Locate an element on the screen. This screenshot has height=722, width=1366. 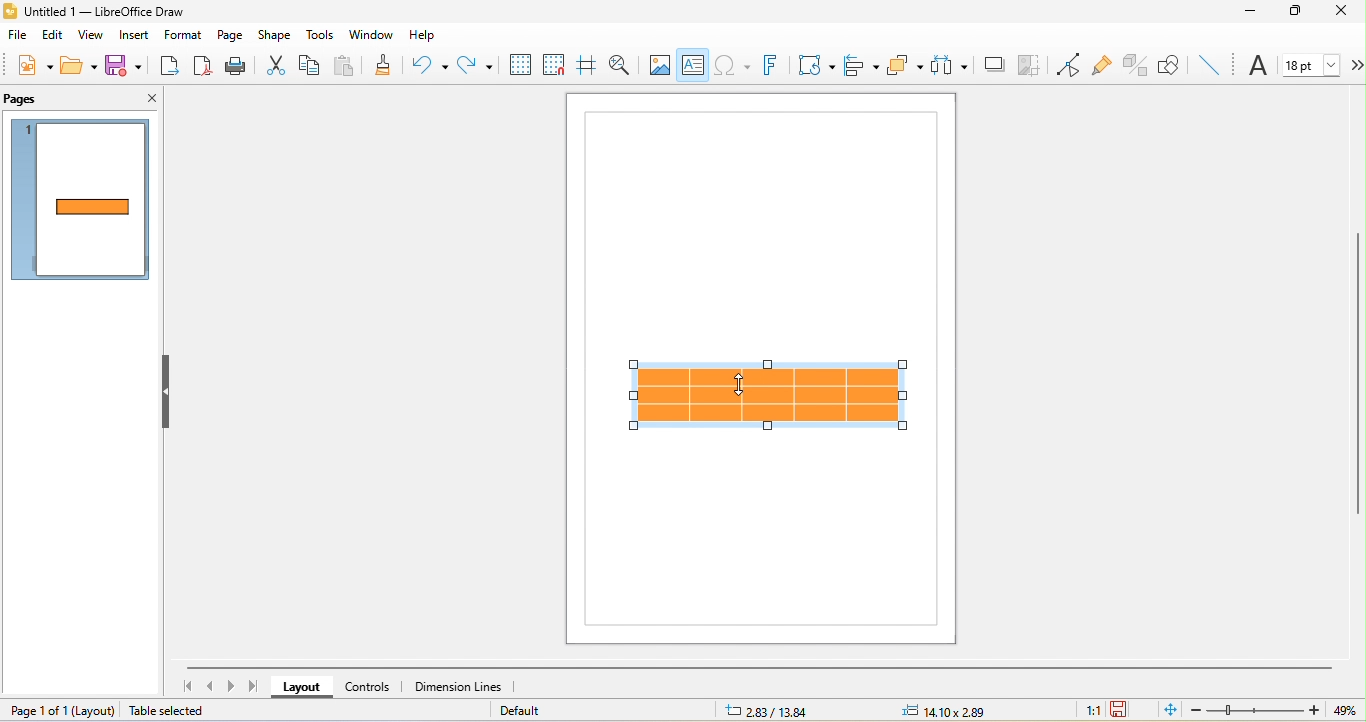
vertical scroll bar is located at coordinates (1357, 373).